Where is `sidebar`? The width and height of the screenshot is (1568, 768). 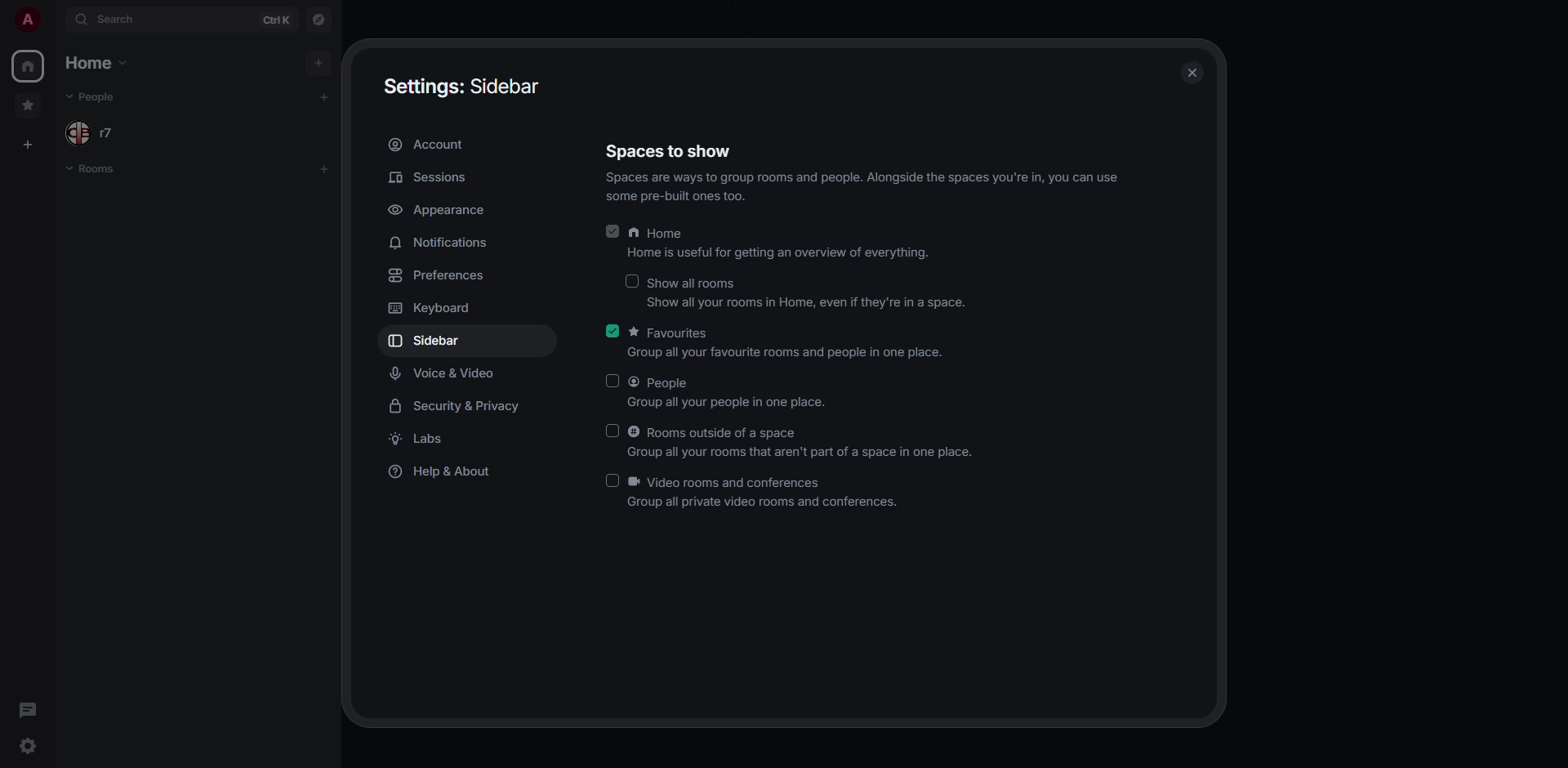 sidebar is located at coordinates (437, 340).